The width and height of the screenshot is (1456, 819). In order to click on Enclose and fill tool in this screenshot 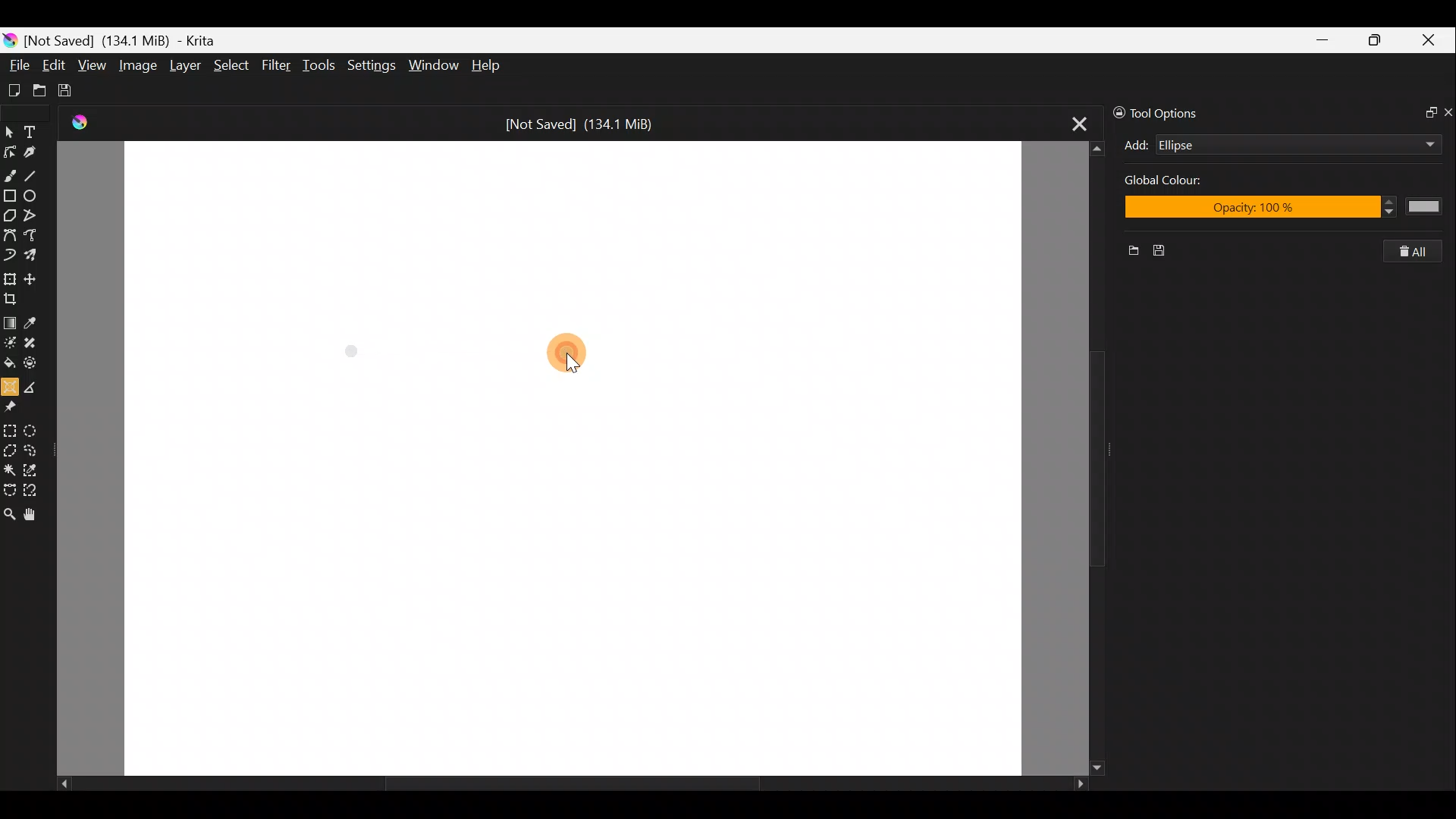, I will do `click(37, 366)`.